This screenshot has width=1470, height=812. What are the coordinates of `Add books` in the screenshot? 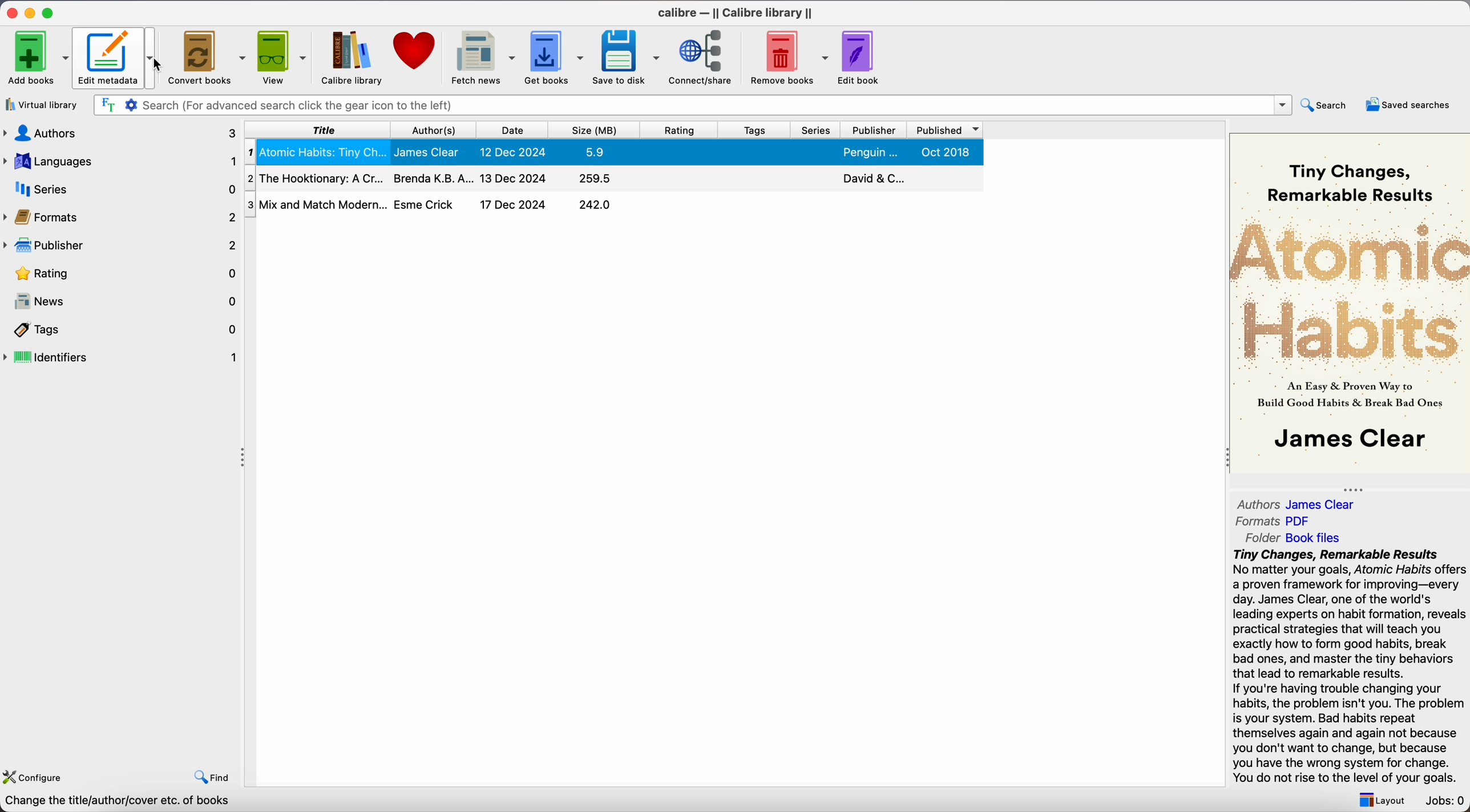 It's located at (37, 58).